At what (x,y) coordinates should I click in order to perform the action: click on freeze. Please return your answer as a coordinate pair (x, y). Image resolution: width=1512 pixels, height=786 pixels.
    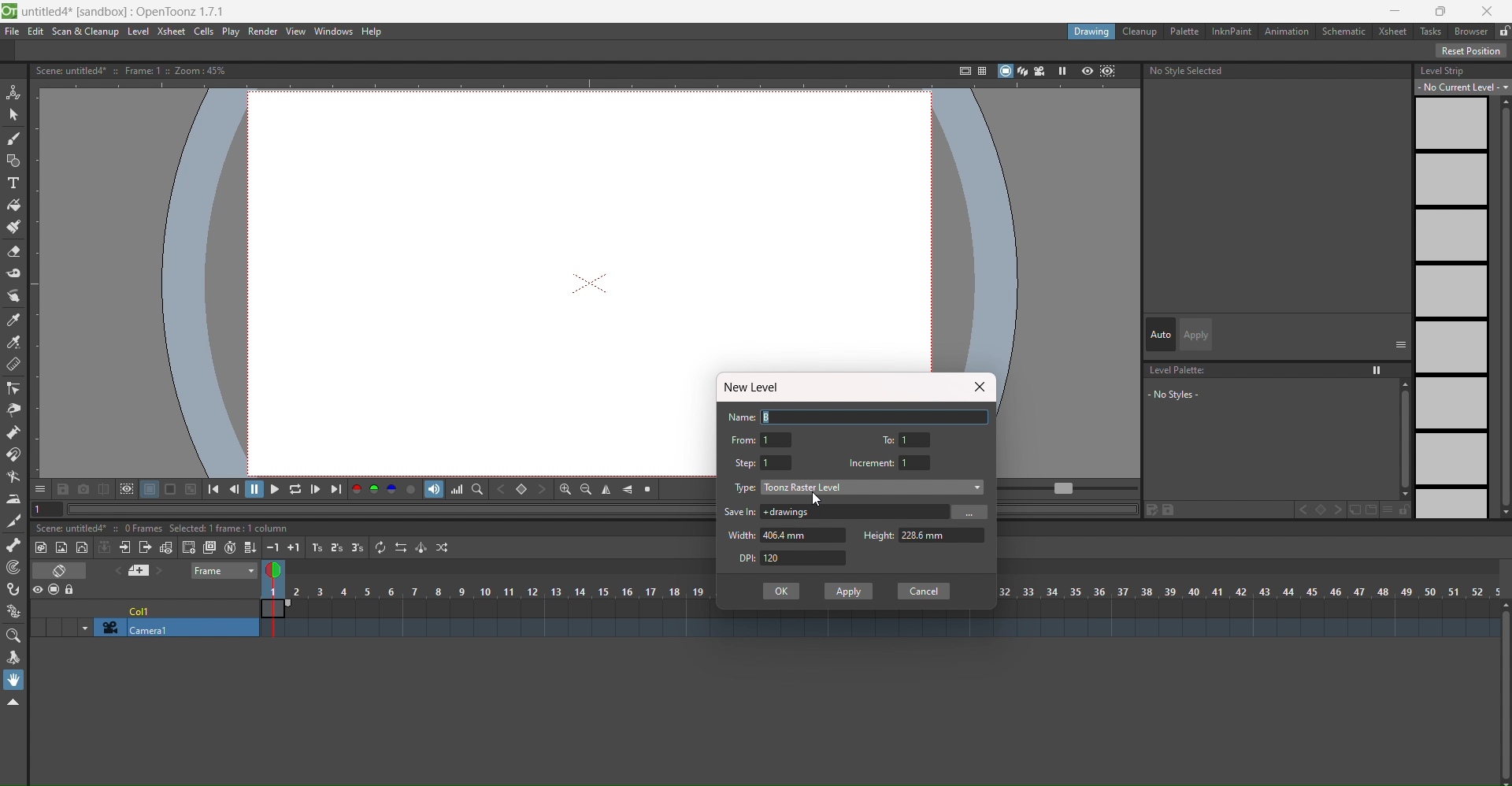
    Looking at the image, I should click on (1061, 71).